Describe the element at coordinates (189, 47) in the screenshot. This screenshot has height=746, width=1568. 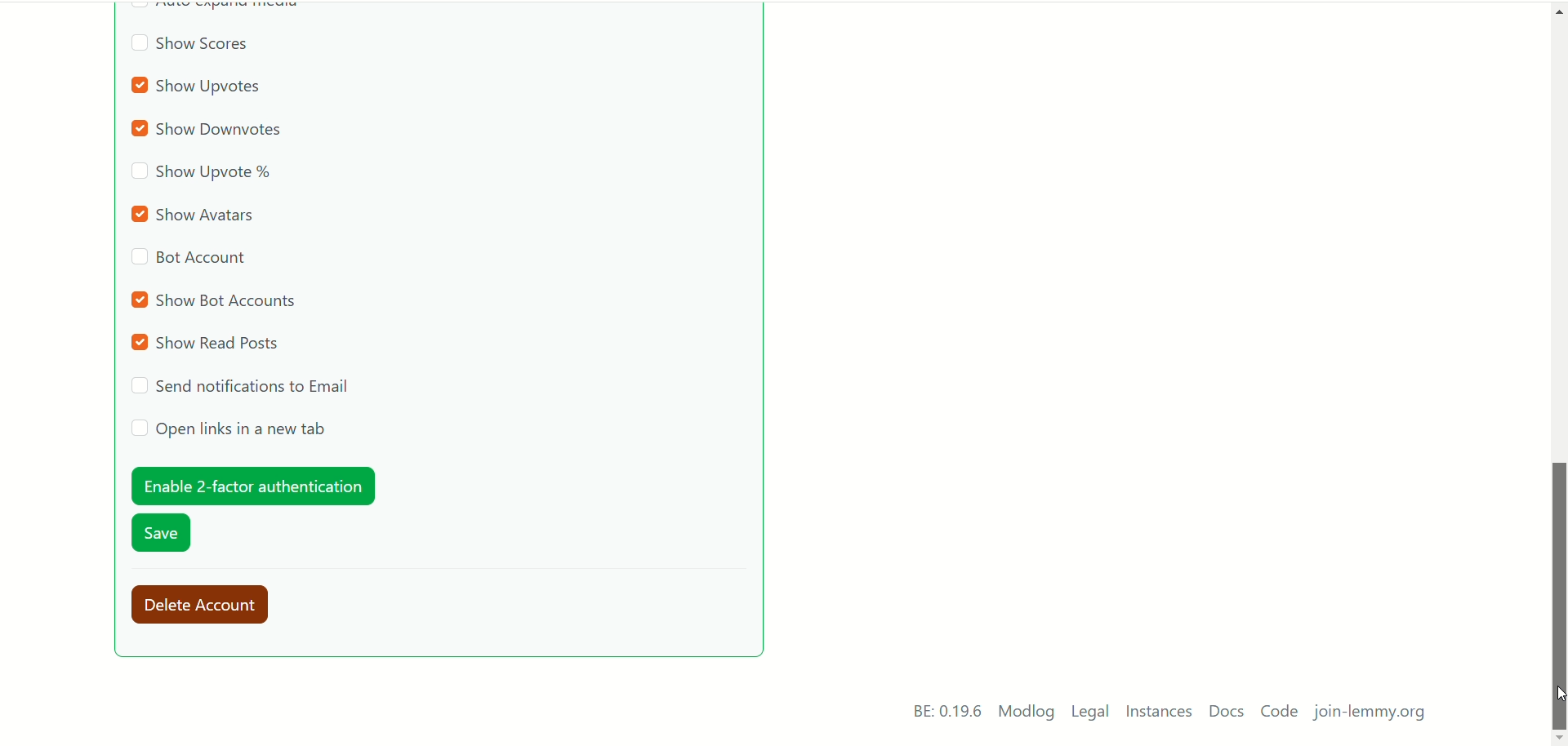
I see `show scores` at that location.